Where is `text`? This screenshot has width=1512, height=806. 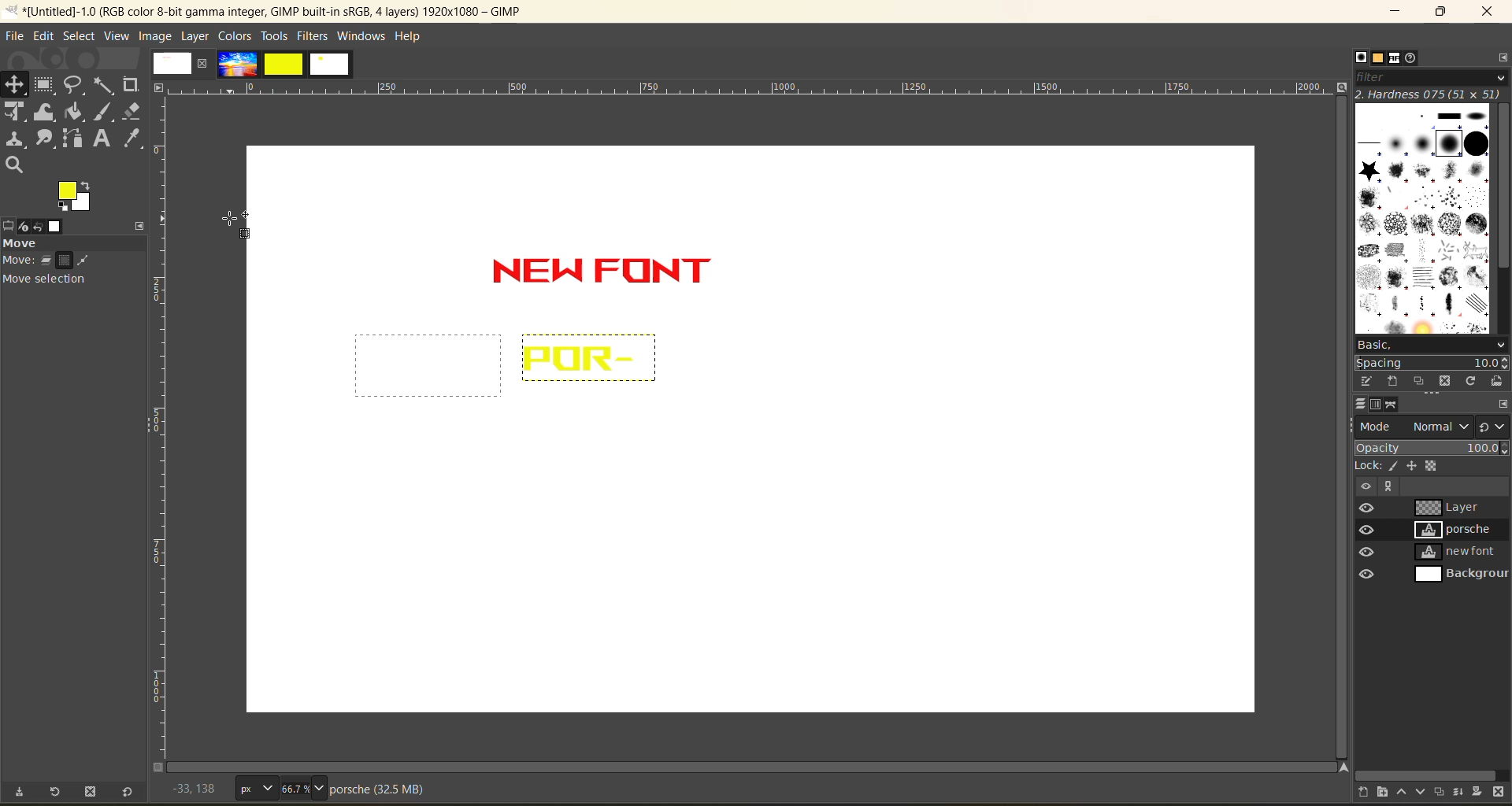
text is located at coordinates (102, 139).